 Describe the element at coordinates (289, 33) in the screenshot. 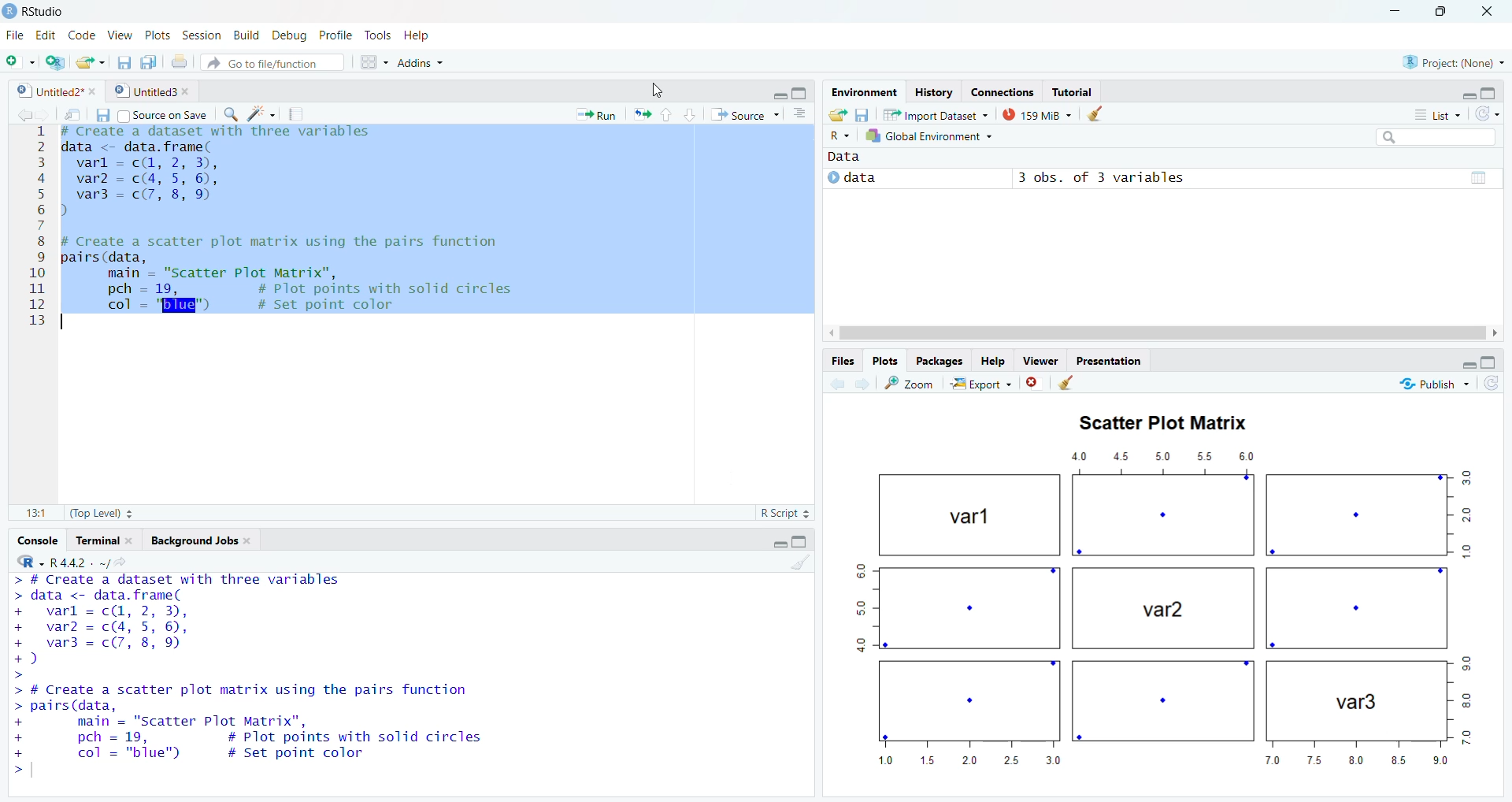

I see `Debug` at that location.